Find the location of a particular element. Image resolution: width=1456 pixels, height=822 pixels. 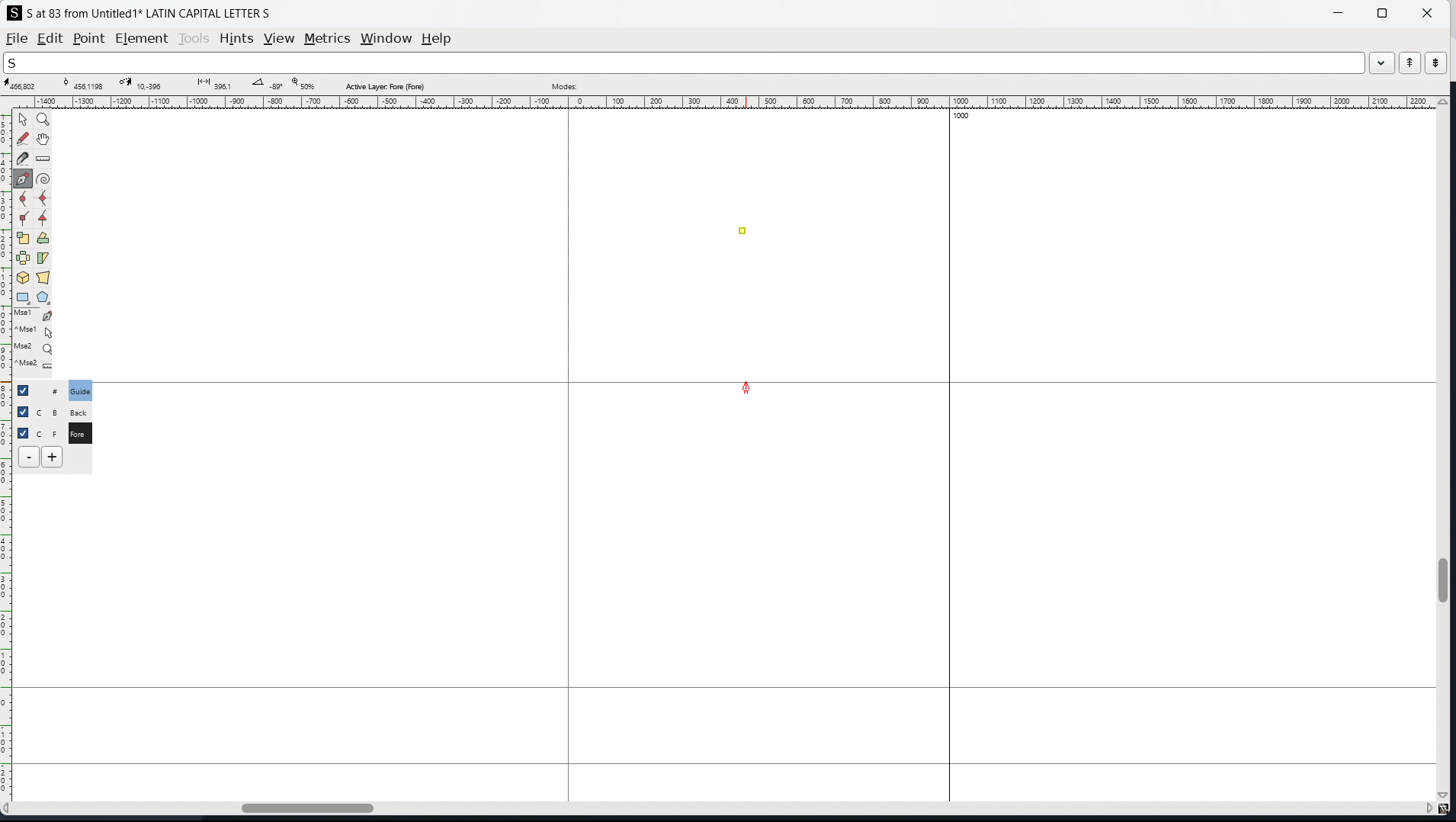

file is located at coordinates (17, 38).